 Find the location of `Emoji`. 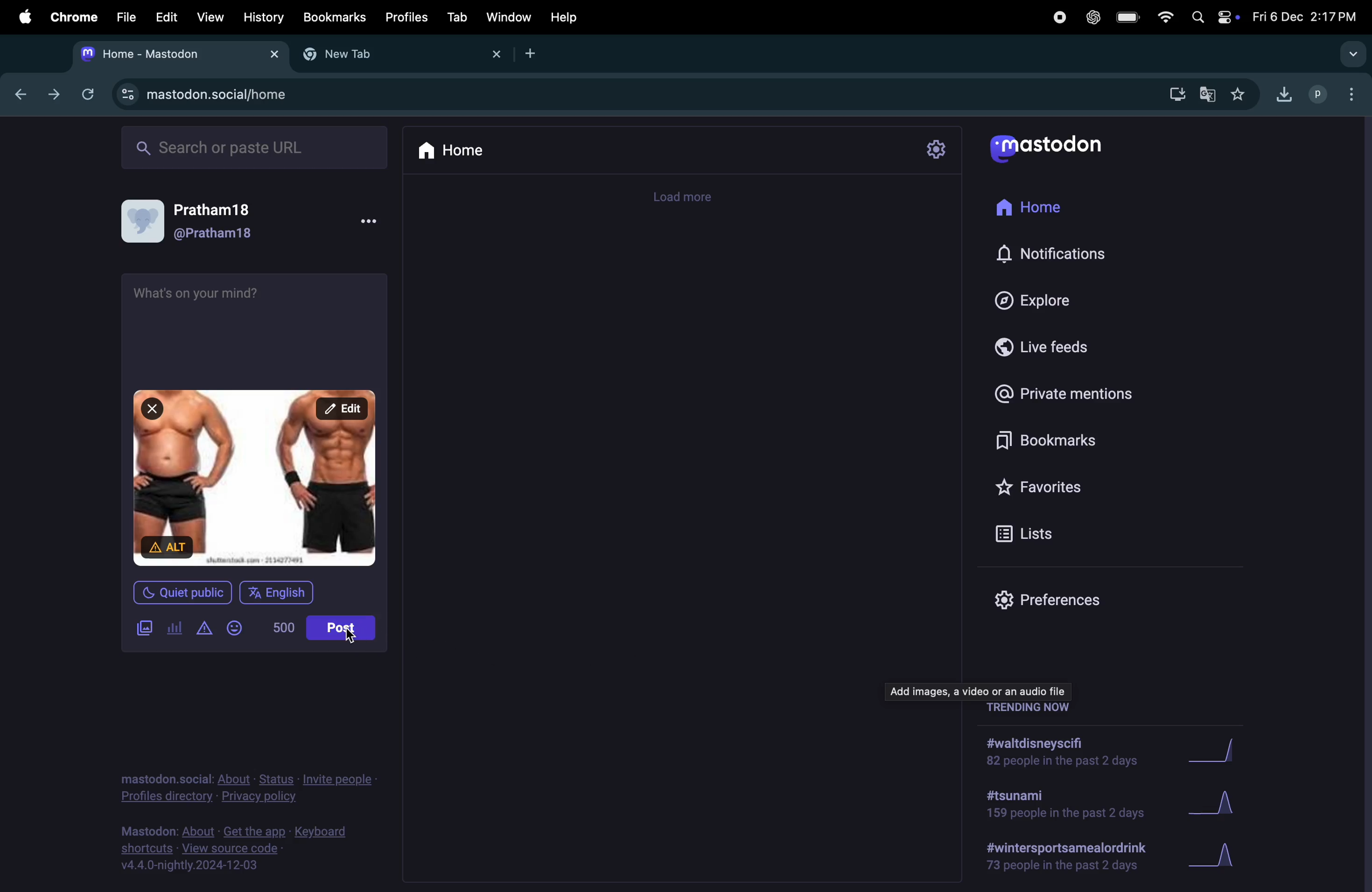

Emoji is located at coordinates (242, 626).